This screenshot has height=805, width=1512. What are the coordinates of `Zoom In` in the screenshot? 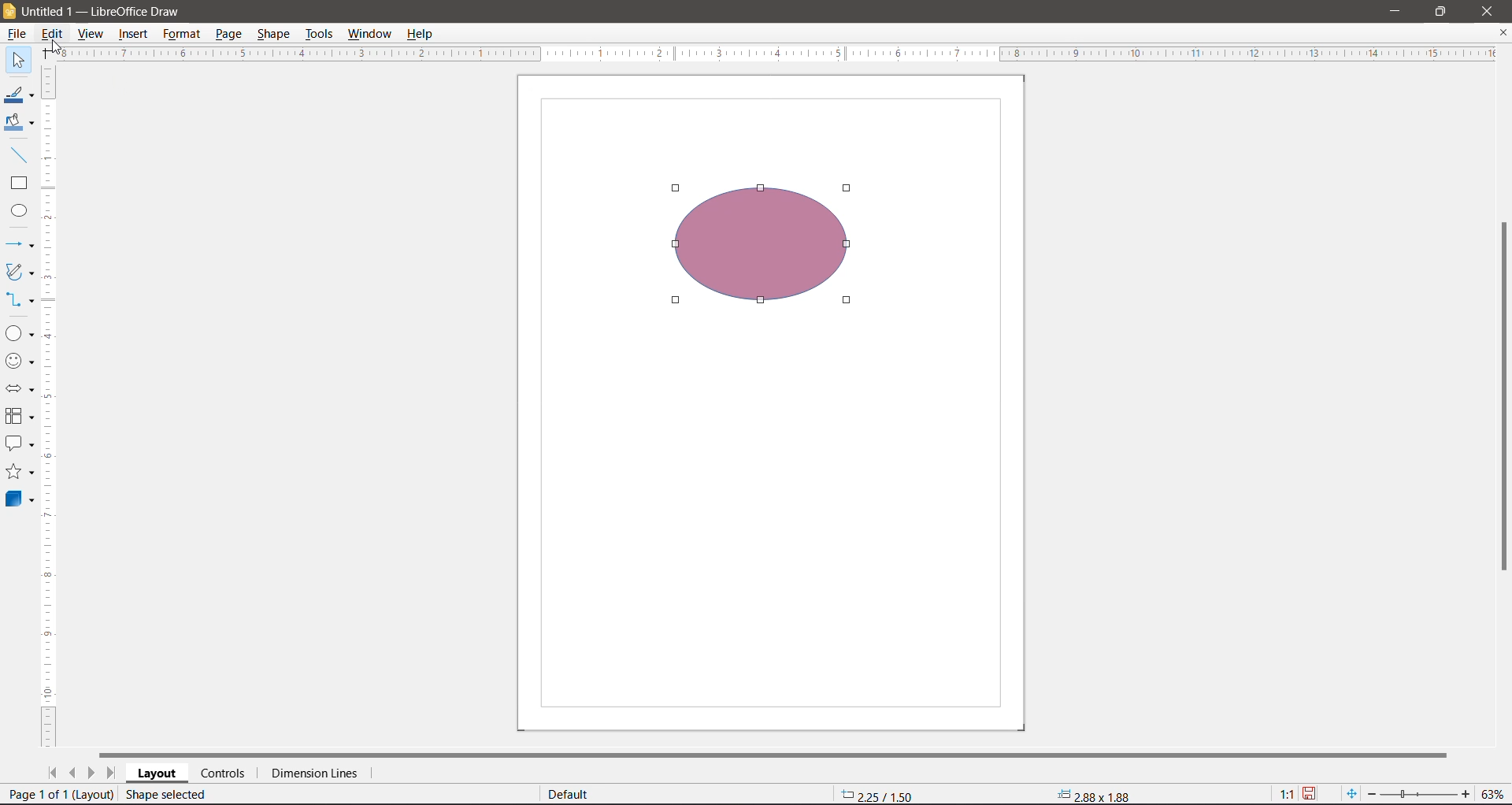 It's located at (1463, 794).